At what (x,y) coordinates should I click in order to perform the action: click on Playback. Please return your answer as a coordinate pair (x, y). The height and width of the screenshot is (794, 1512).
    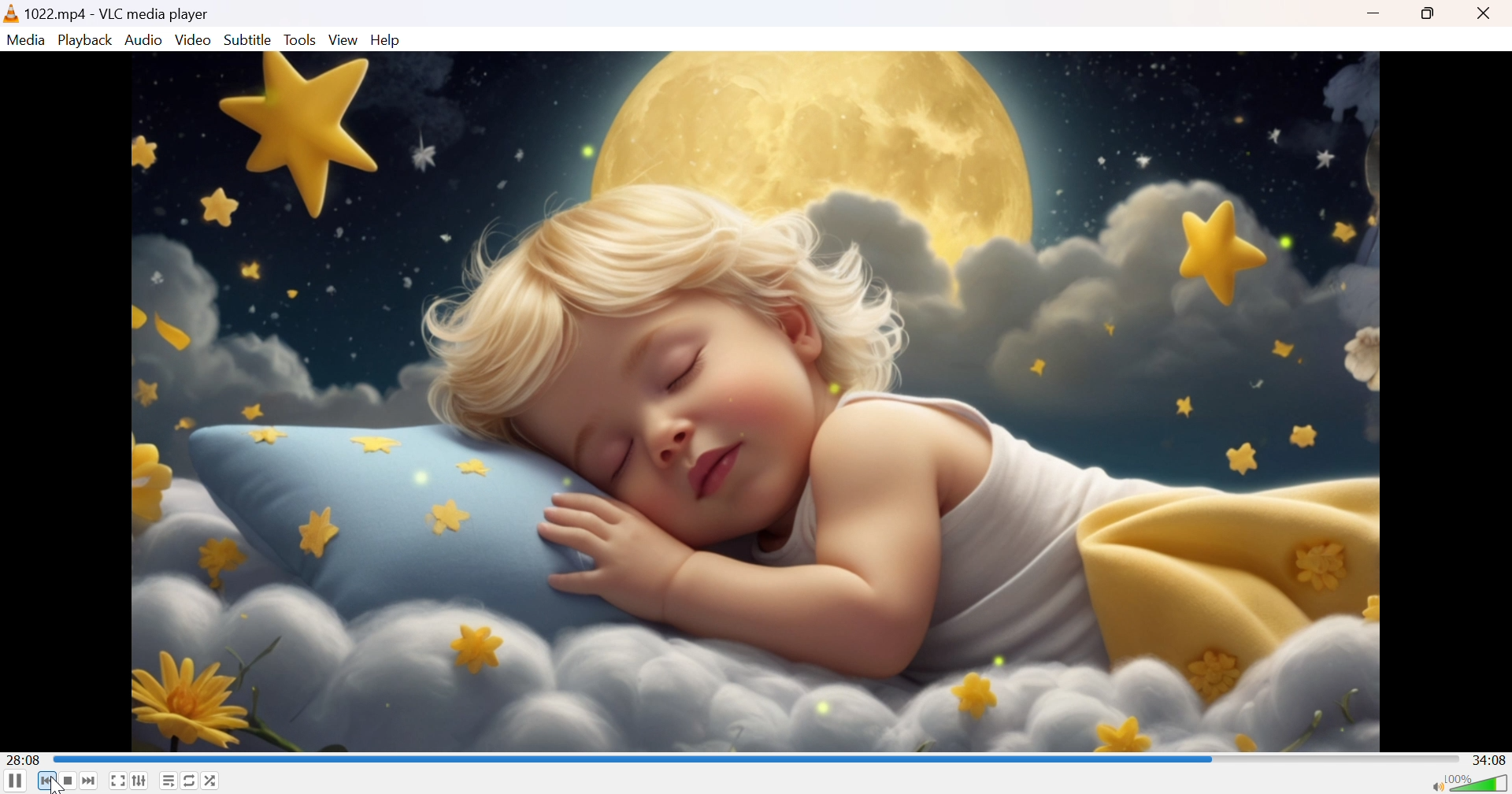
    Looking at the image, I should click on (87, 40).